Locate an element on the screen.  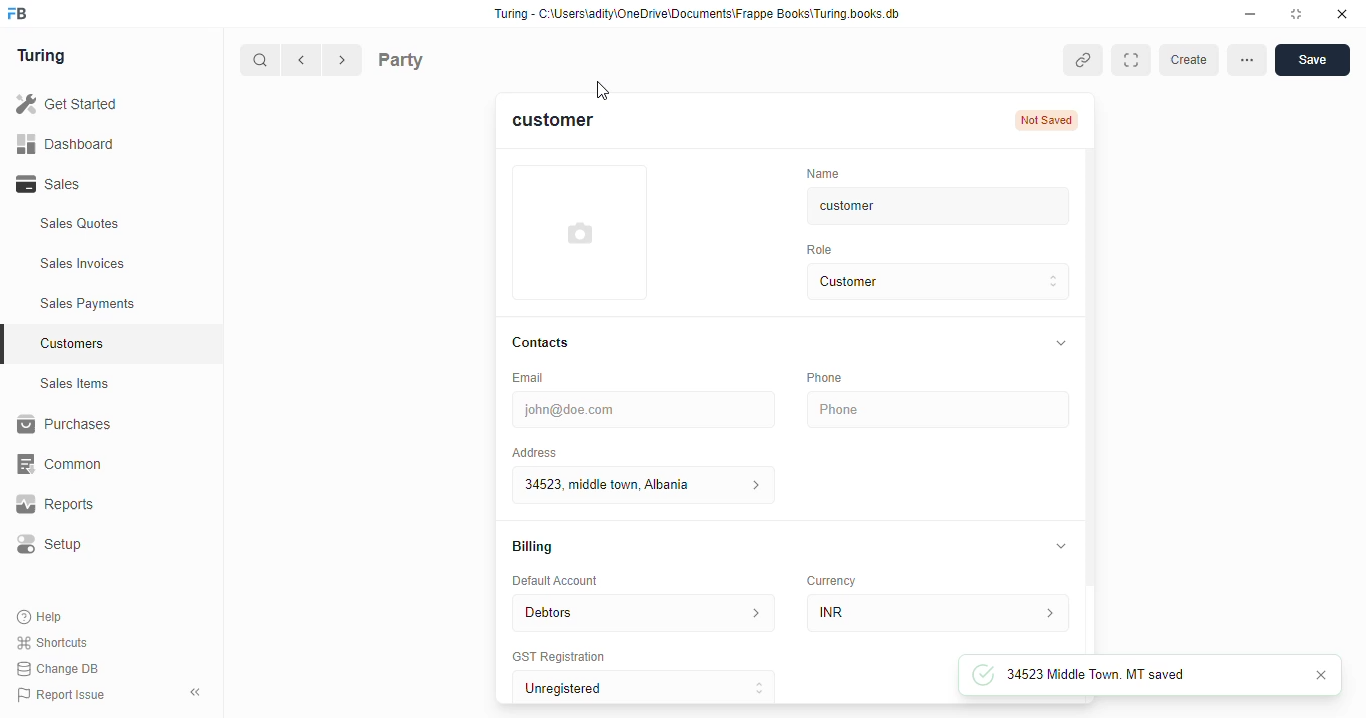
Expand is located at coordinates (1134, 60).